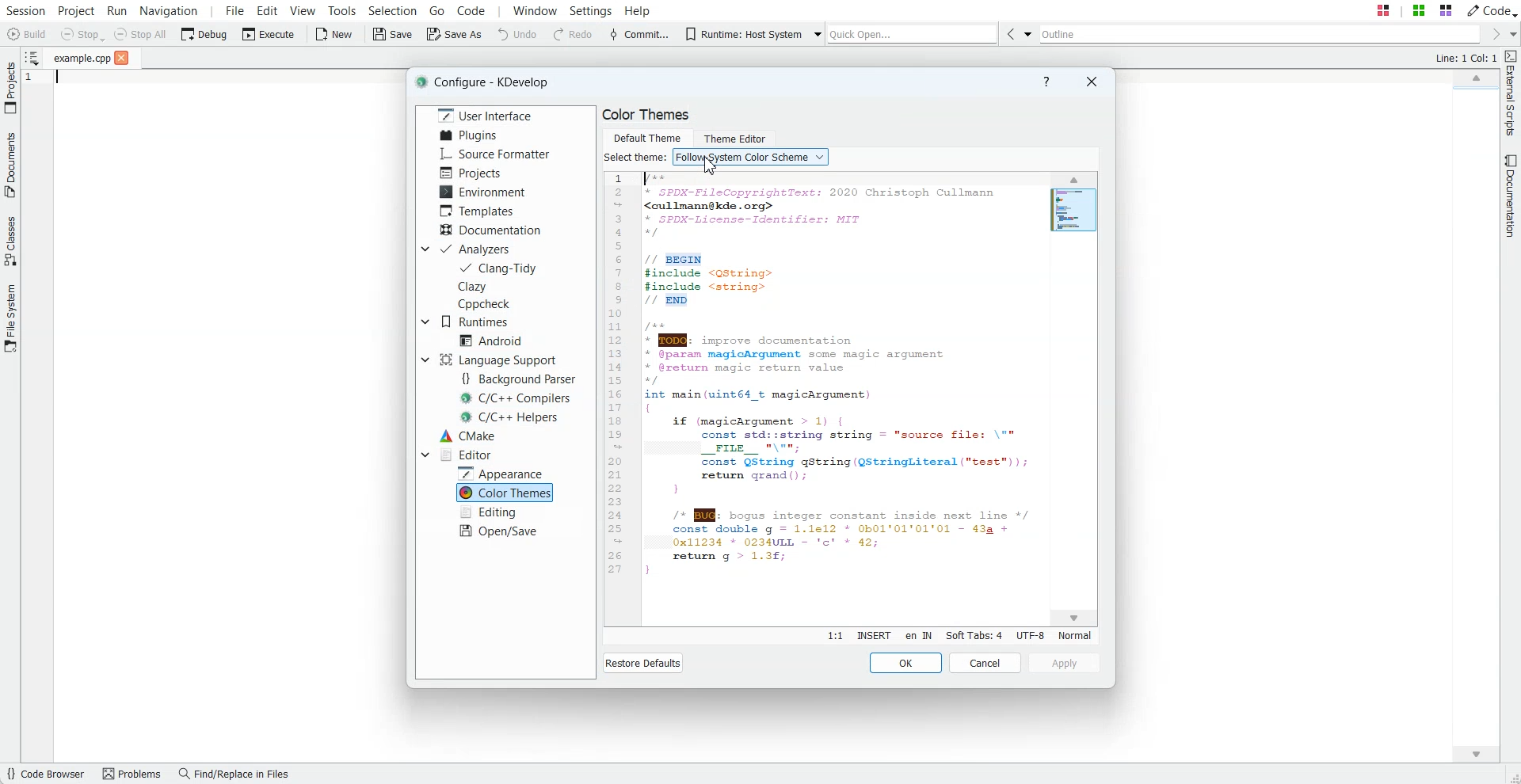 Image resolution: width=1521 pixels, height=784 pixels. Describe the element at coordinates (974, 635) in the screenshot. I see `Soft Tabs: 4` at that location.